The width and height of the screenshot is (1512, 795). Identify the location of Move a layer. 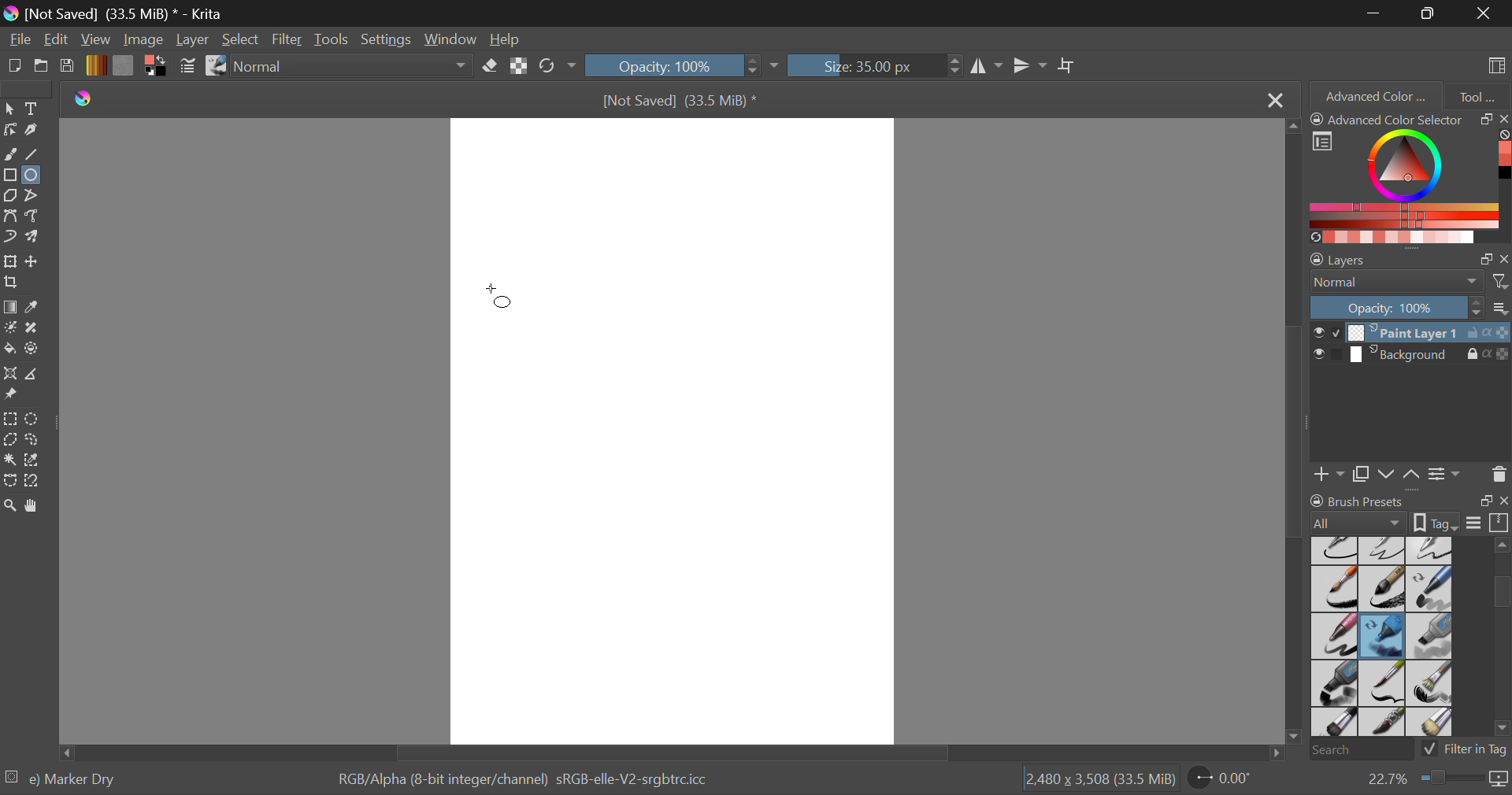
(34, 261).